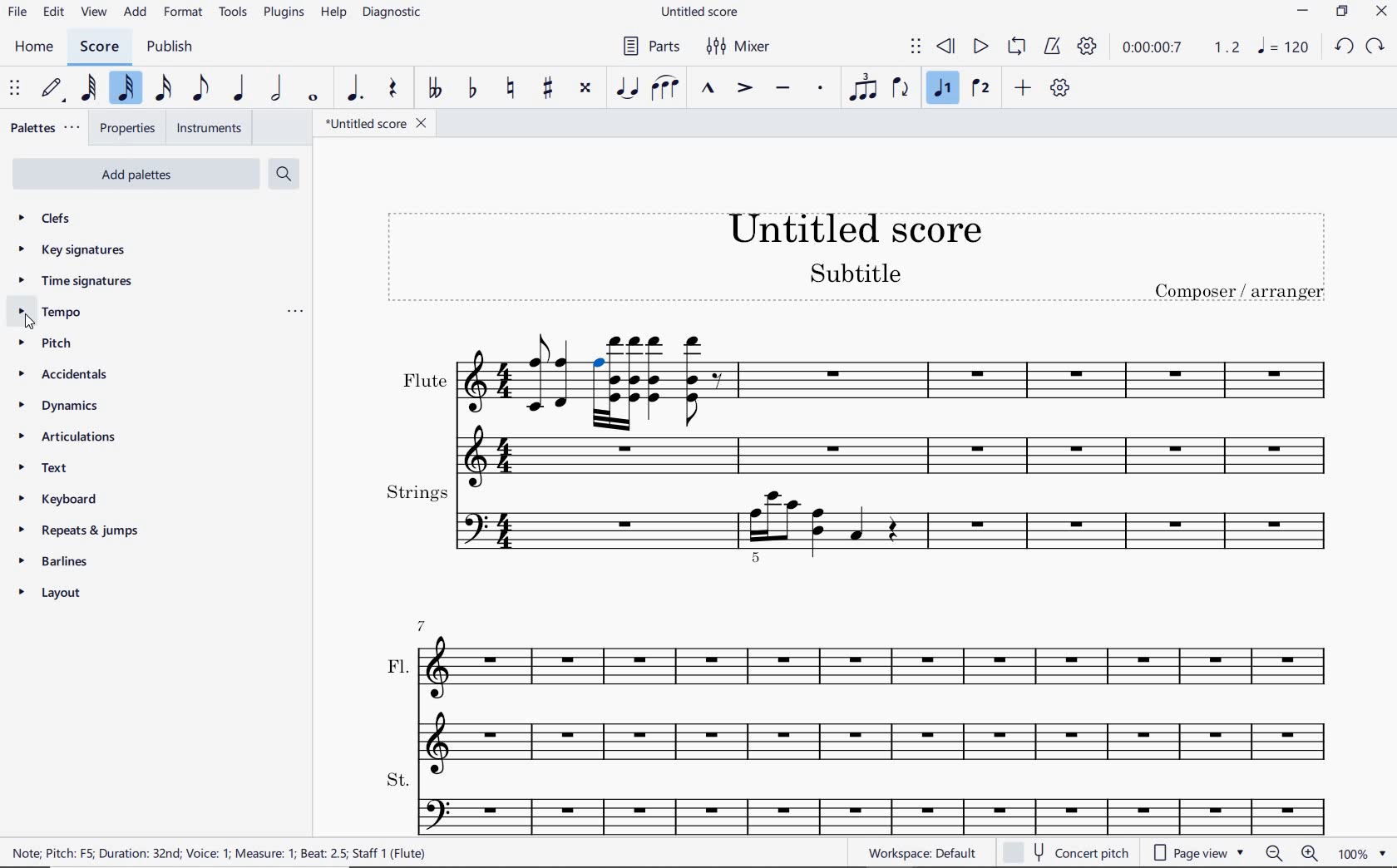  Describe the element at coordinates (52, 88) in the screenshot. I see `DEFAULT (STEP TIME)` at that location.